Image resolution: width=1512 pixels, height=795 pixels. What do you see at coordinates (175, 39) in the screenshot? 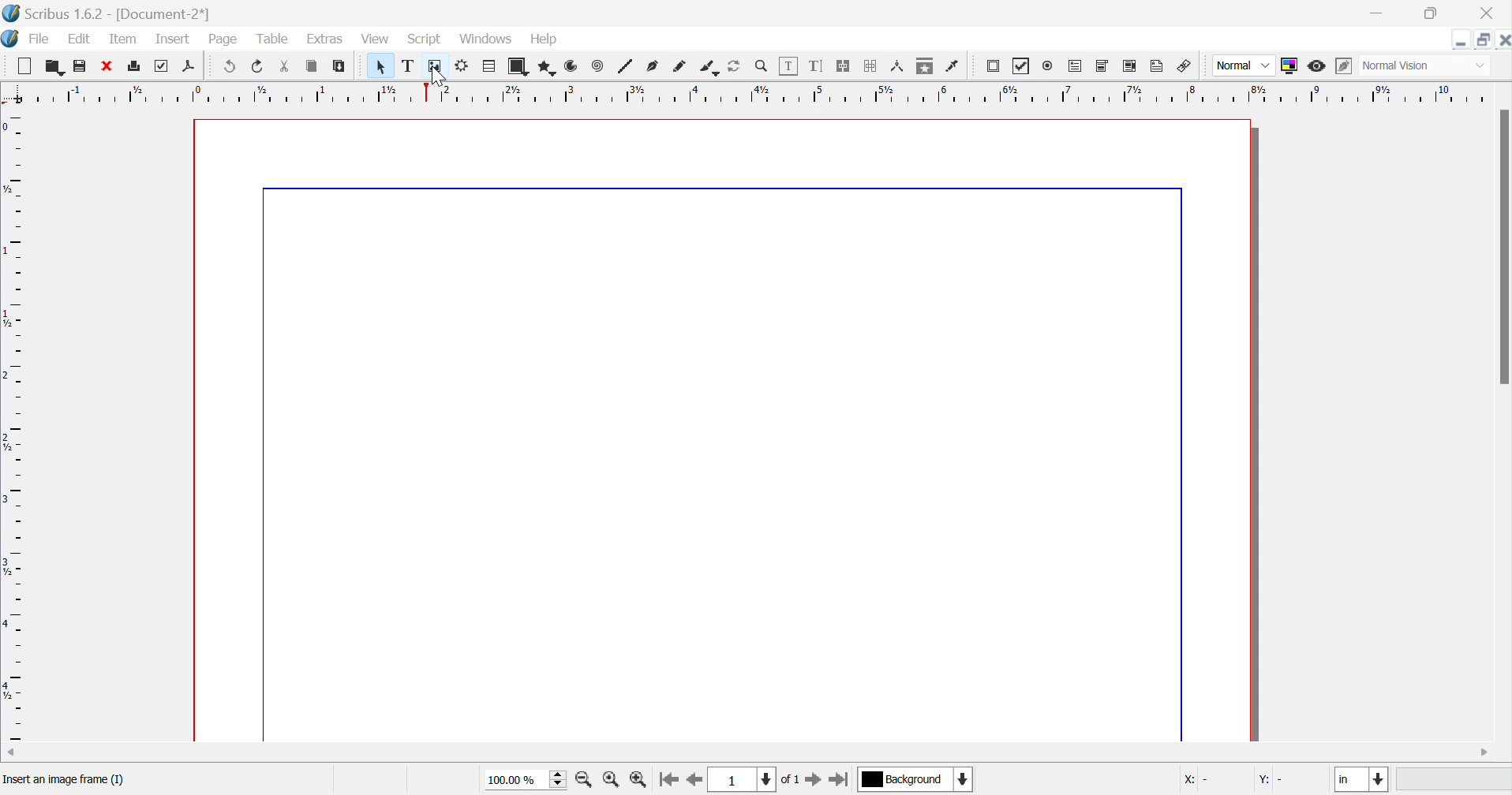
I see `insert` at bounding box center [175, 39].